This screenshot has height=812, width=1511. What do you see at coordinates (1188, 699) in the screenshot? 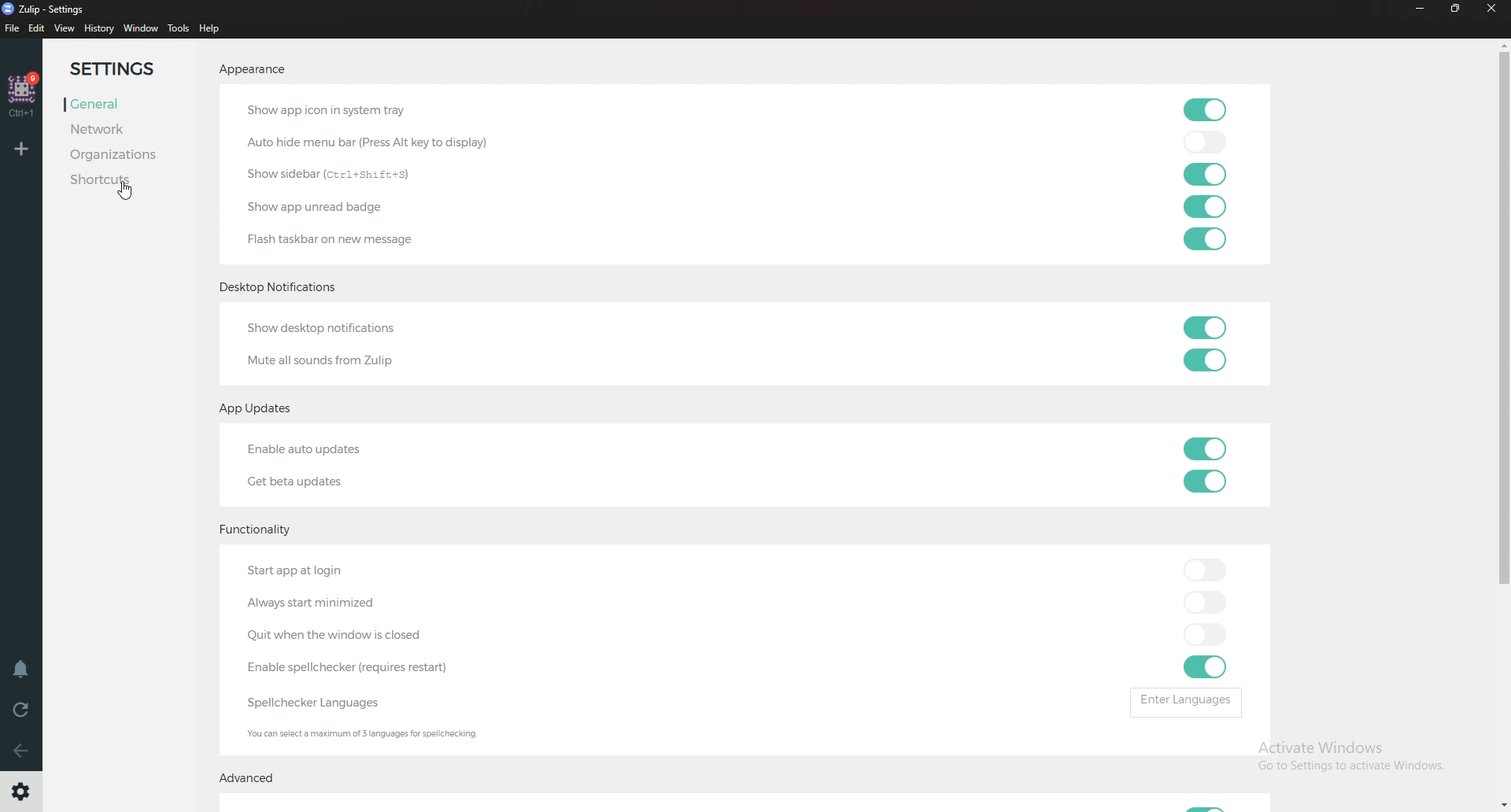
I see `Enter languages` at bounding box center [1188, 699].